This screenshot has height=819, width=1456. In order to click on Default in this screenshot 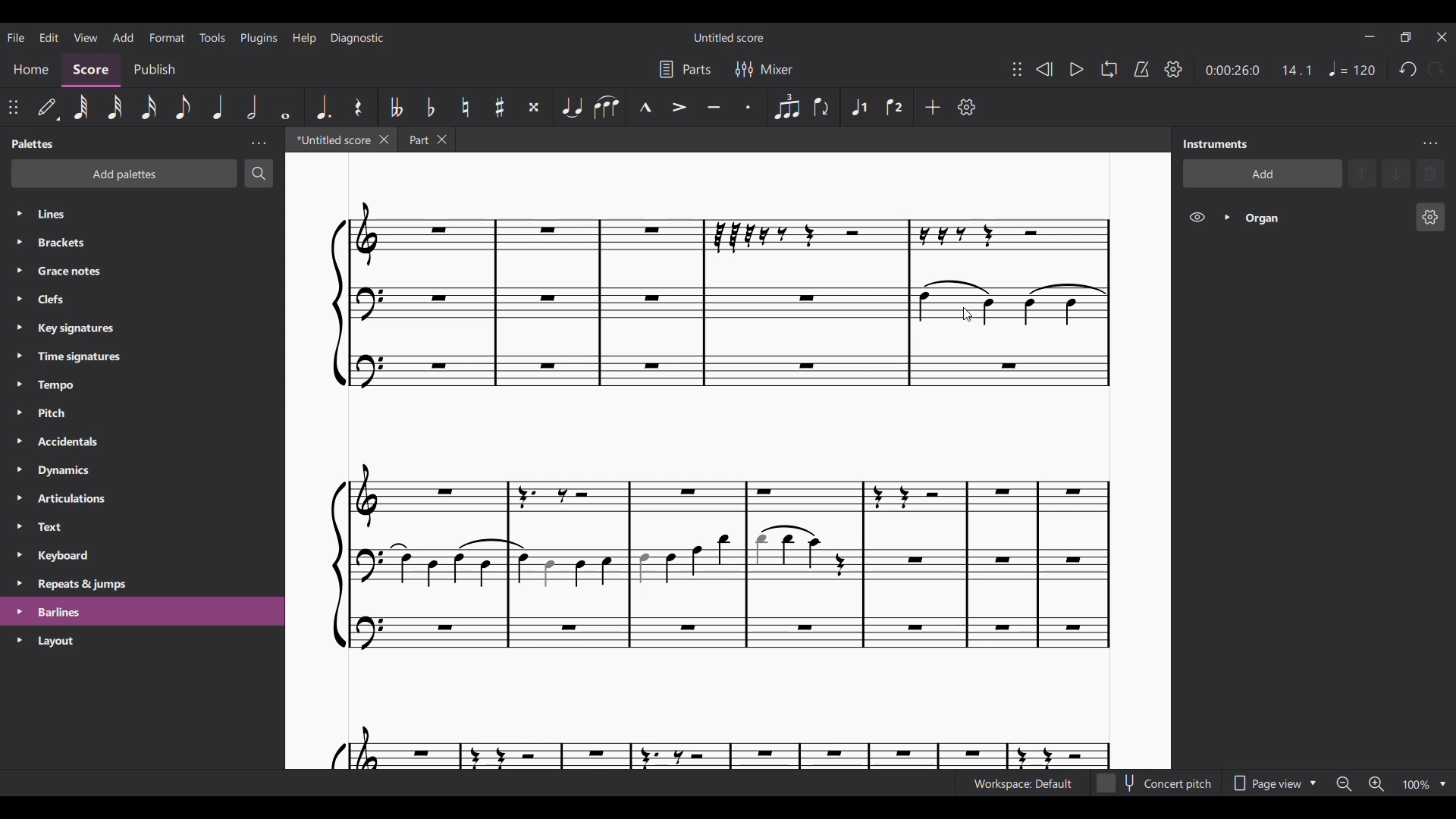, I will do `click(47, 106)`.